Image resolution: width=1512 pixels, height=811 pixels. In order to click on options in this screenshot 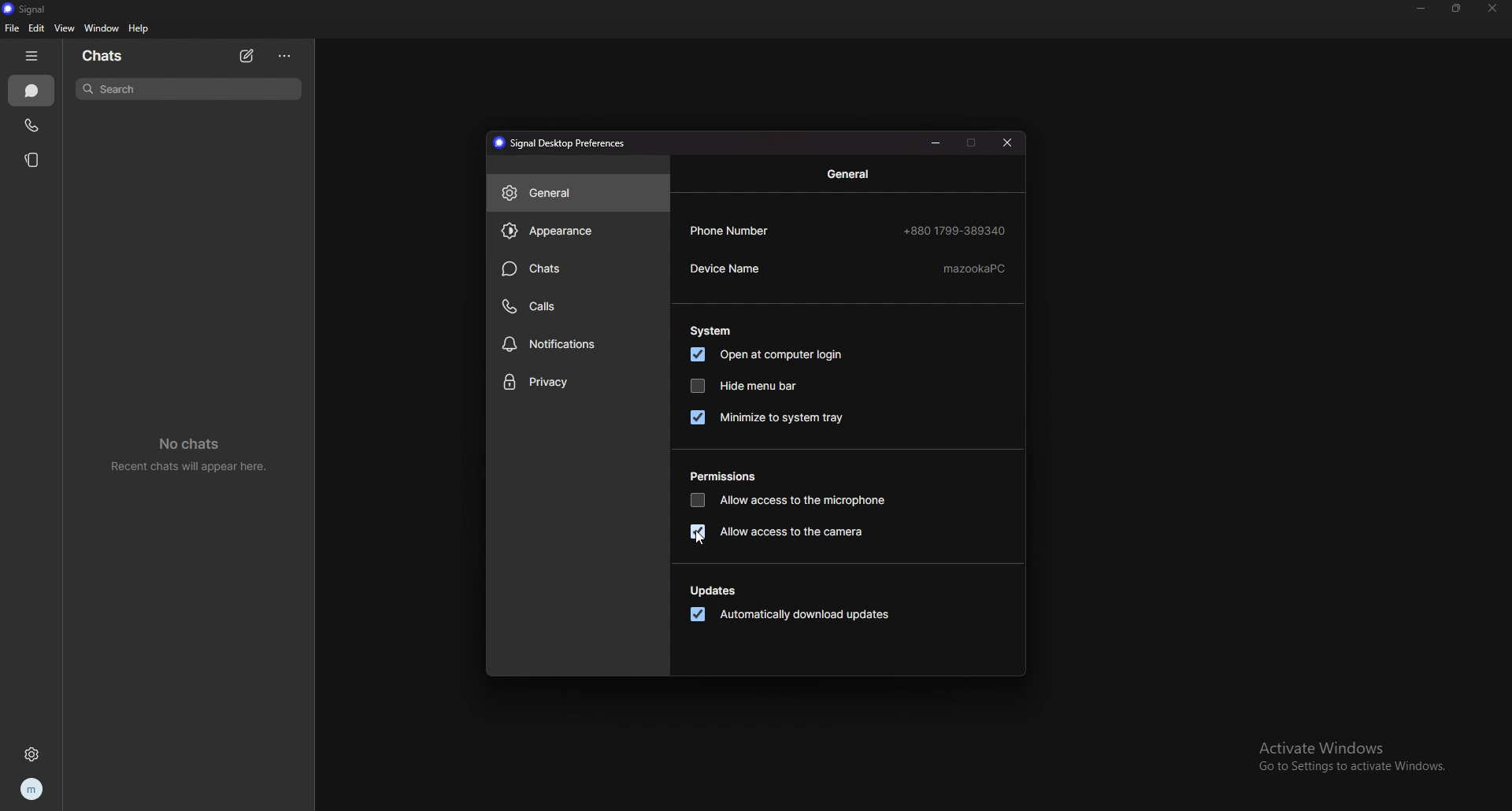, I will do `click(285, 55)`.